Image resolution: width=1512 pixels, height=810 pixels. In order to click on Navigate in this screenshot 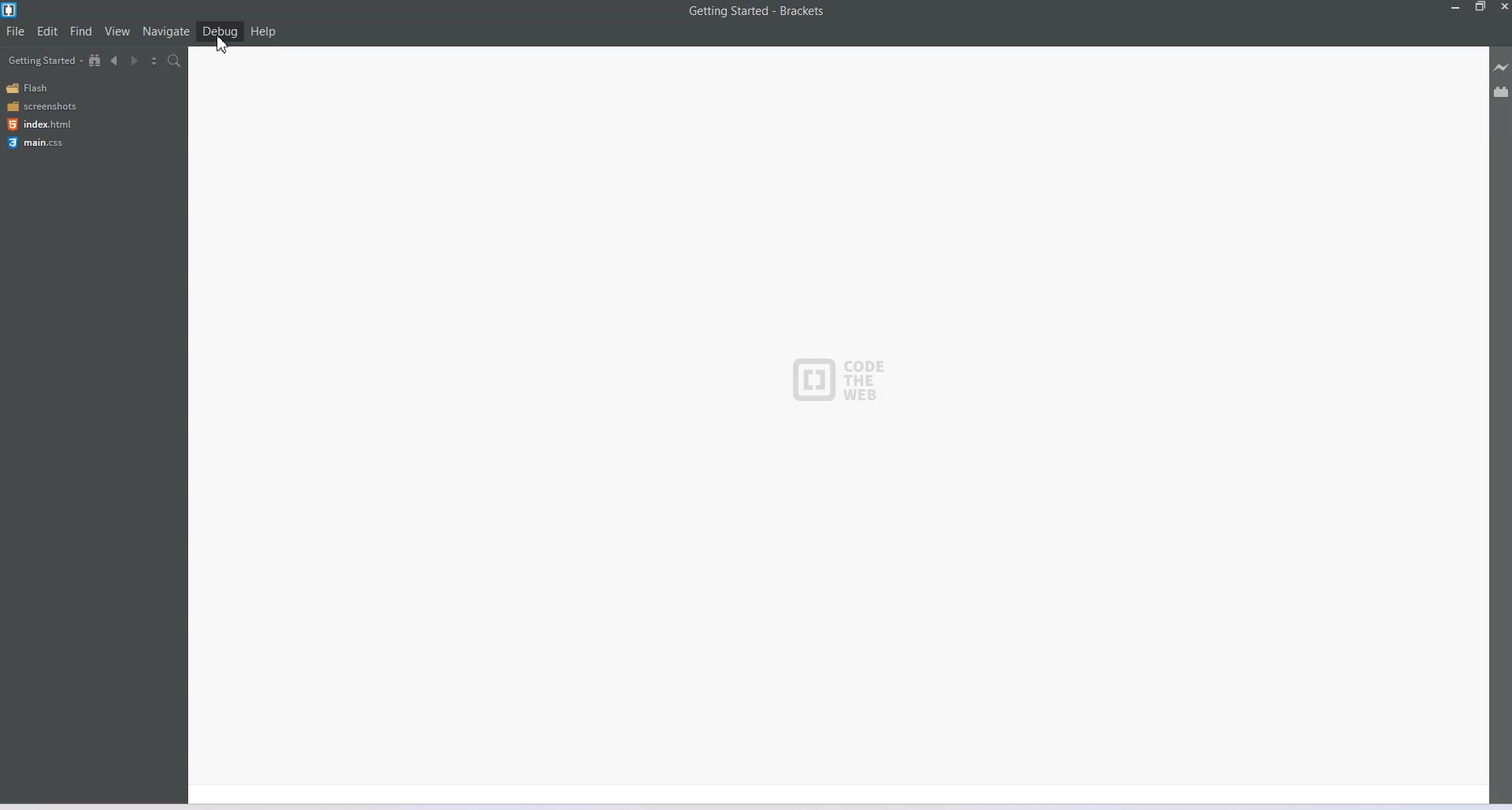, I will do `click(168, 32)`.